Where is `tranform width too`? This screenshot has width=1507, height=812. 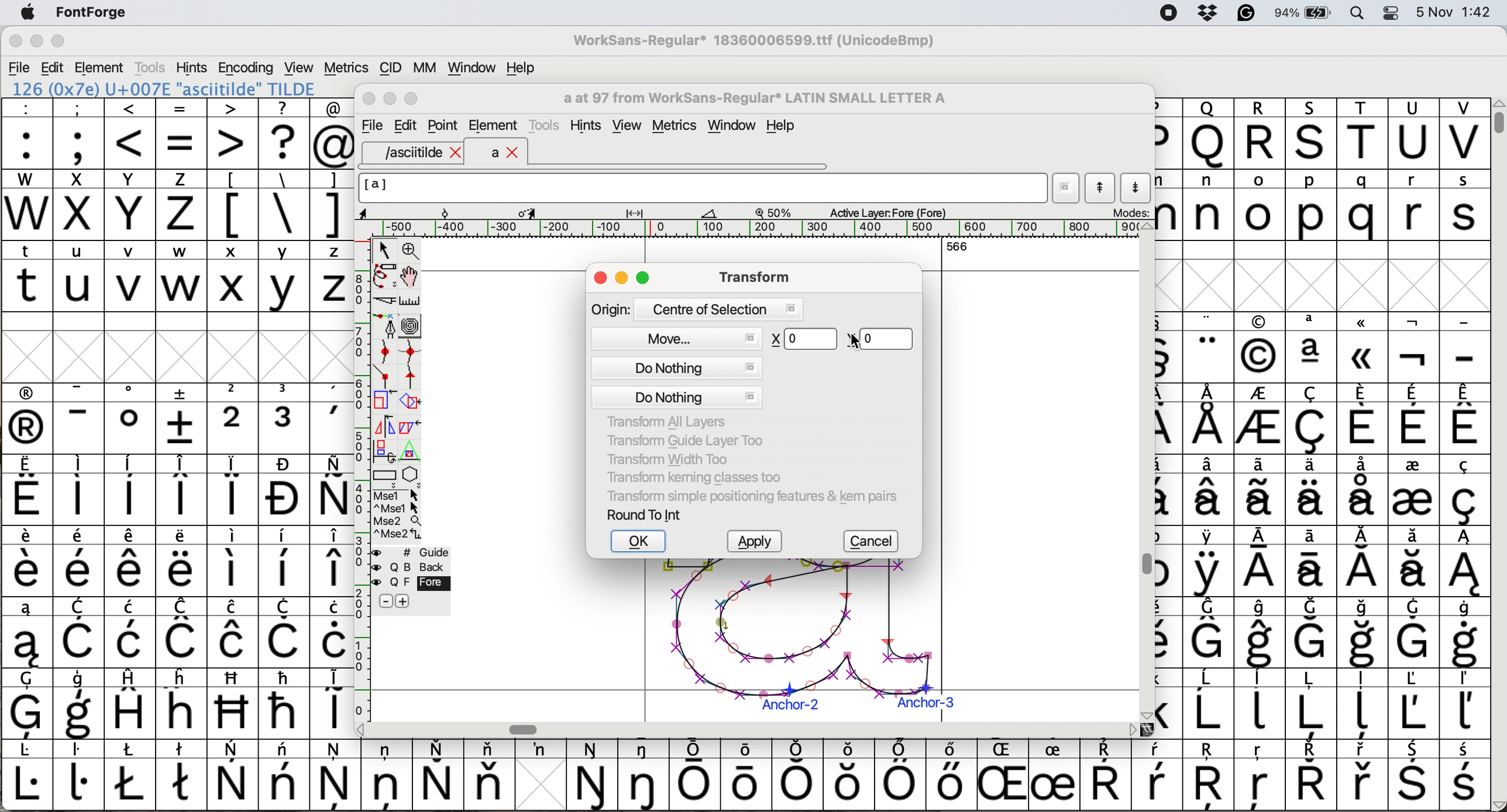
tranform width too is located at coordinates (674, 457).